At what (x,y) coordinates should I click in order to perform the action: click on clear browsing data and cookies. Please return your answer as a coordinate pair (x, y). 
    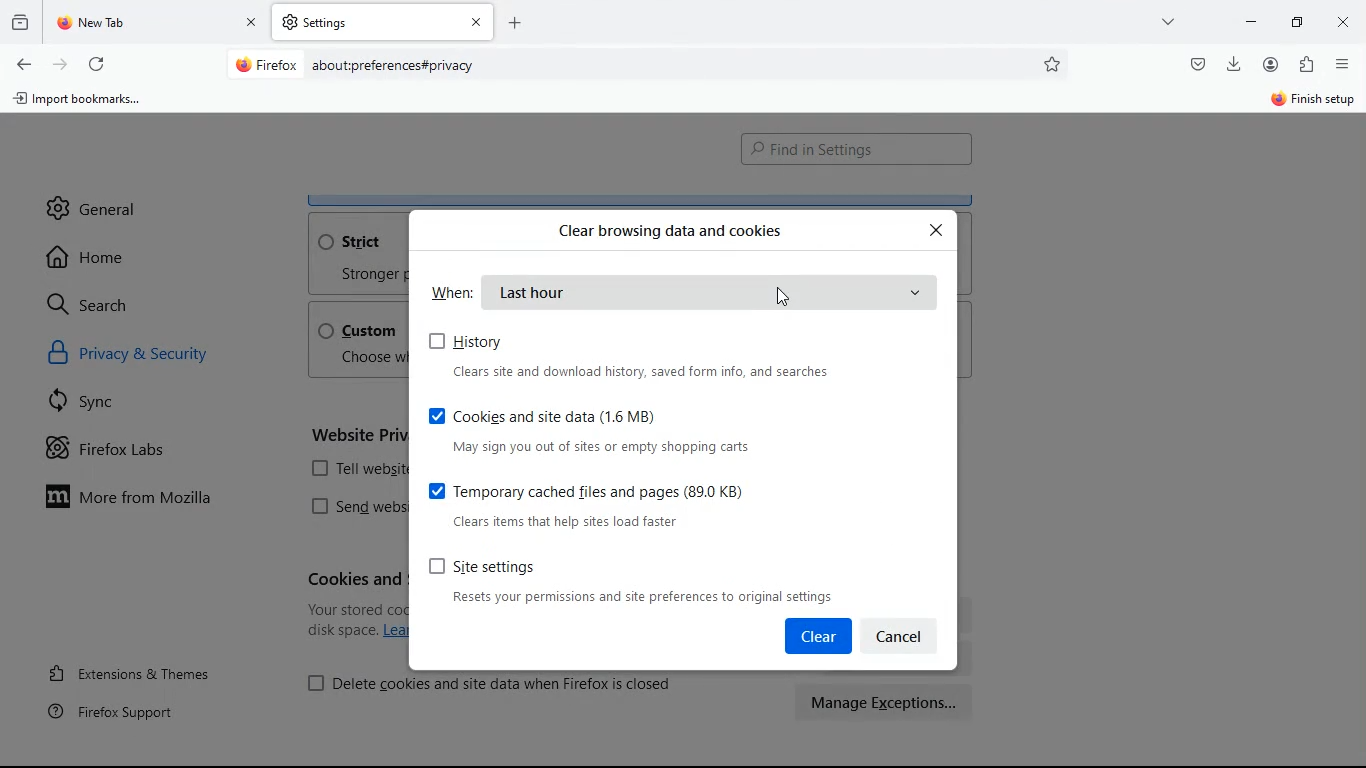
    Looking at the image, I should click on (670, 230).